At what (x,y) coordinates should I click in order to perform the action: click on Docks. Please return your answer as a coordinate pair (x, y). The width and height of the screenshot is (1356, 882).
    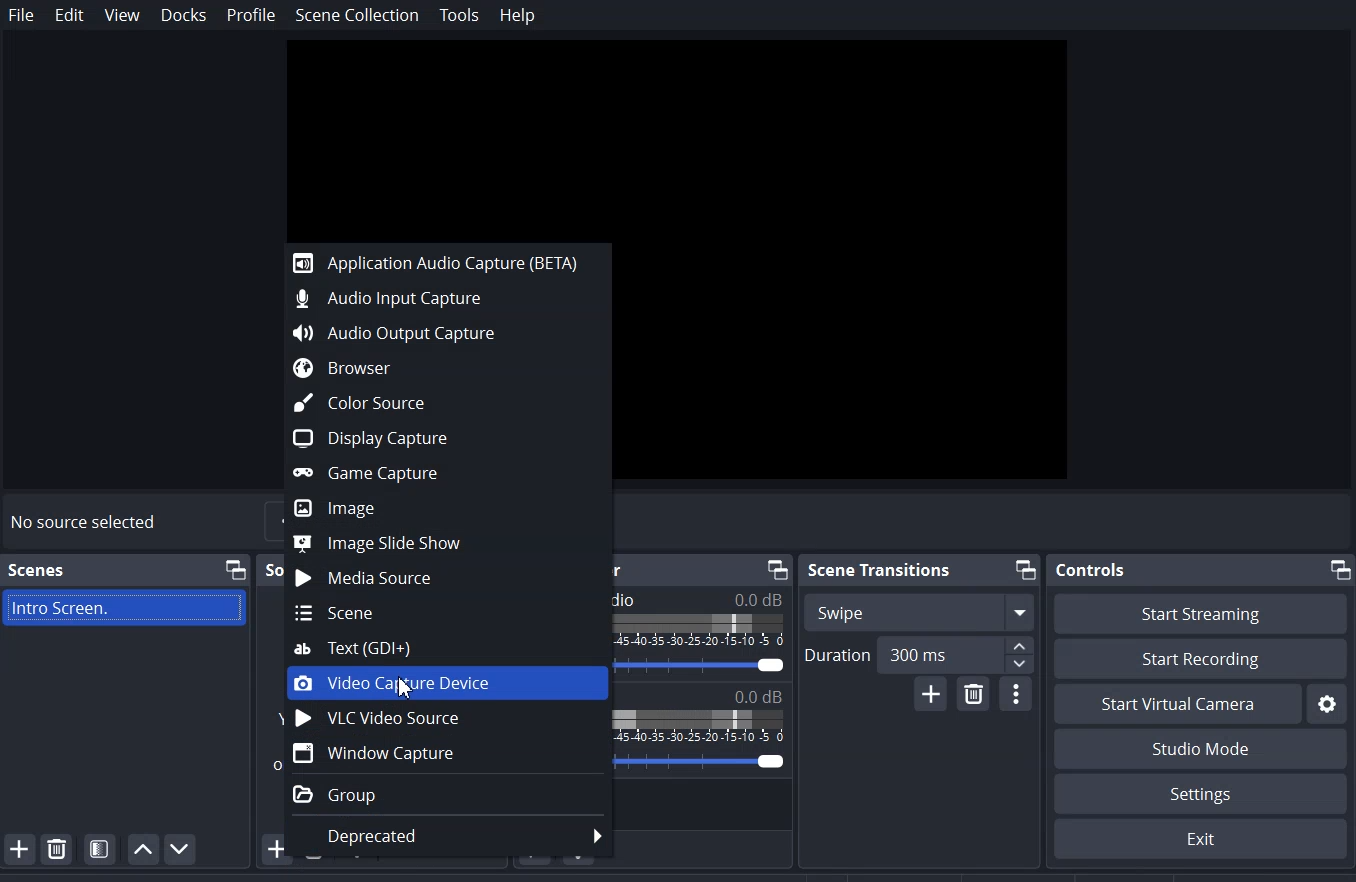
    Looking at the image, I should click on (184, 14).